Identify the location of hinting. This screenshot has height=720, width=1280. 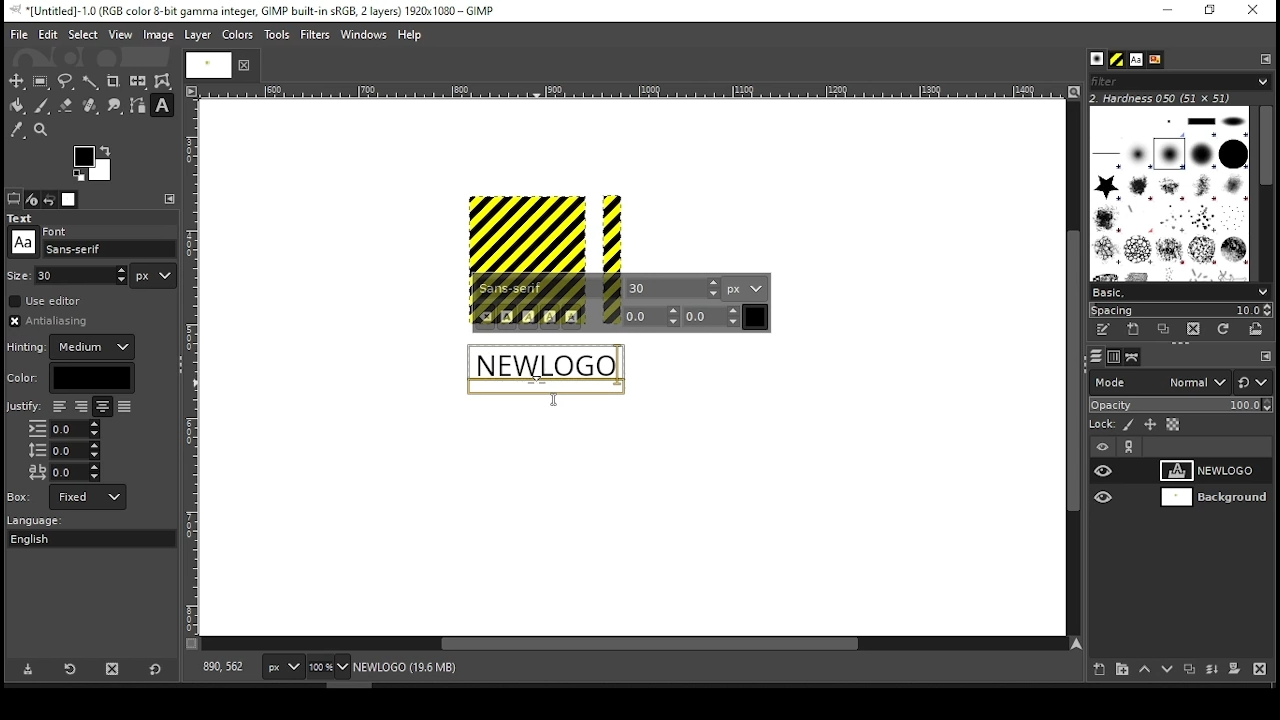
(73, 347).